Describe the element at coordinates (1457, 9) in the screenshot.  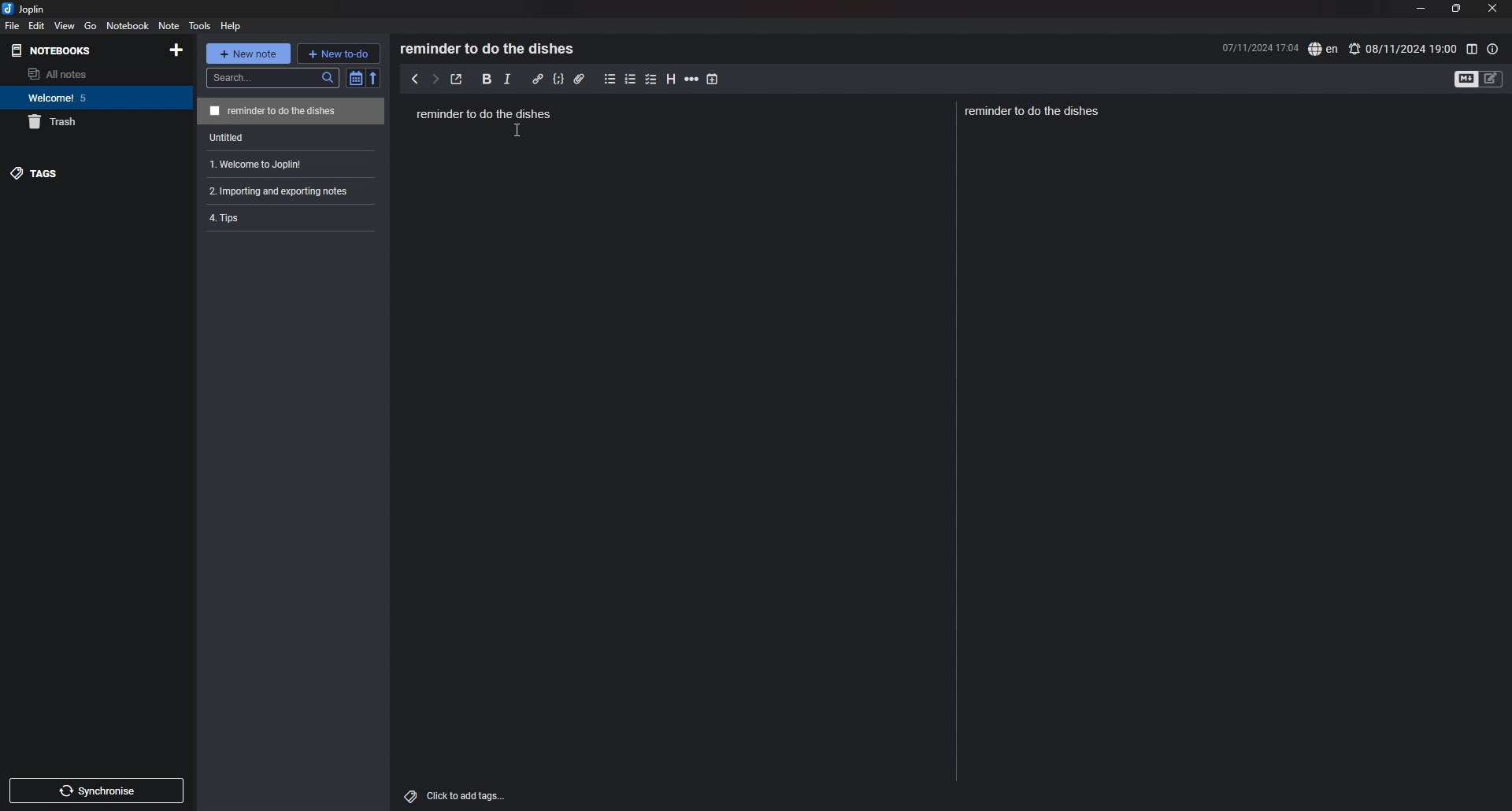
I see `resize` at that location.